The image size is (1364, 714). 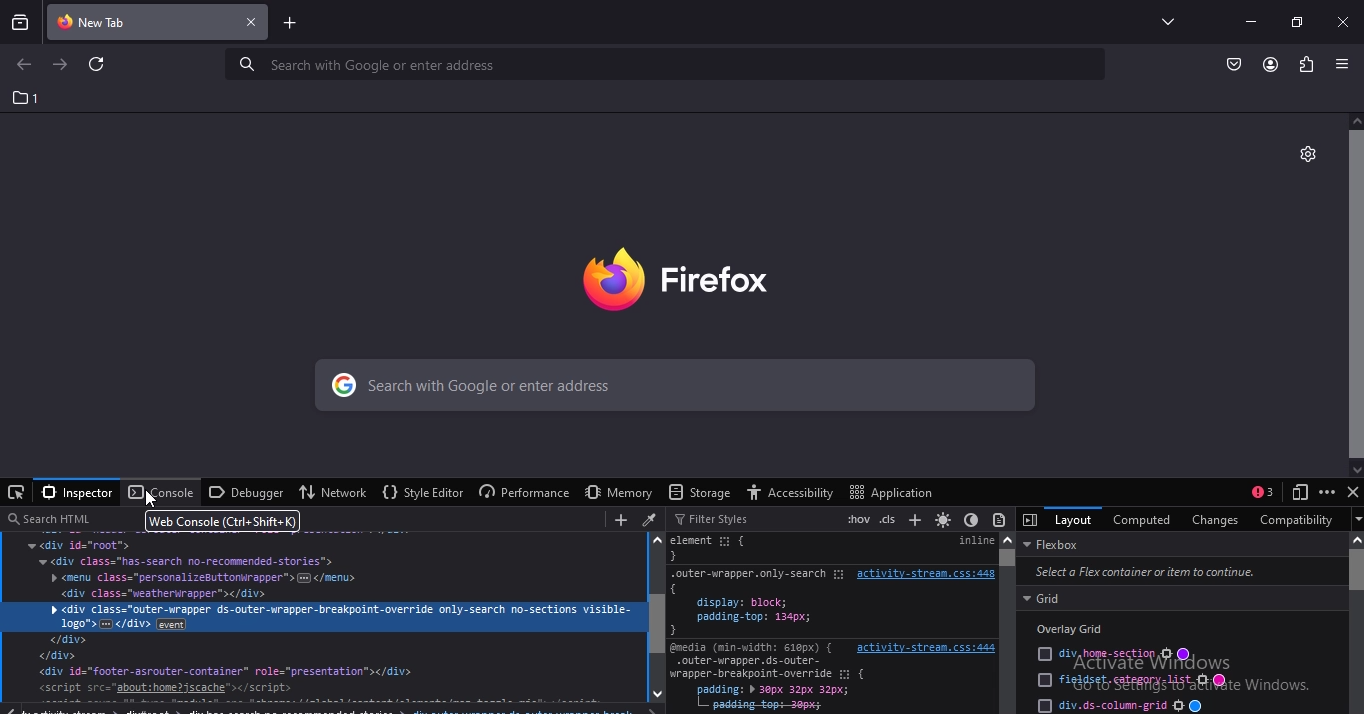 I want to click on cursor, so click(x=152, y=498).